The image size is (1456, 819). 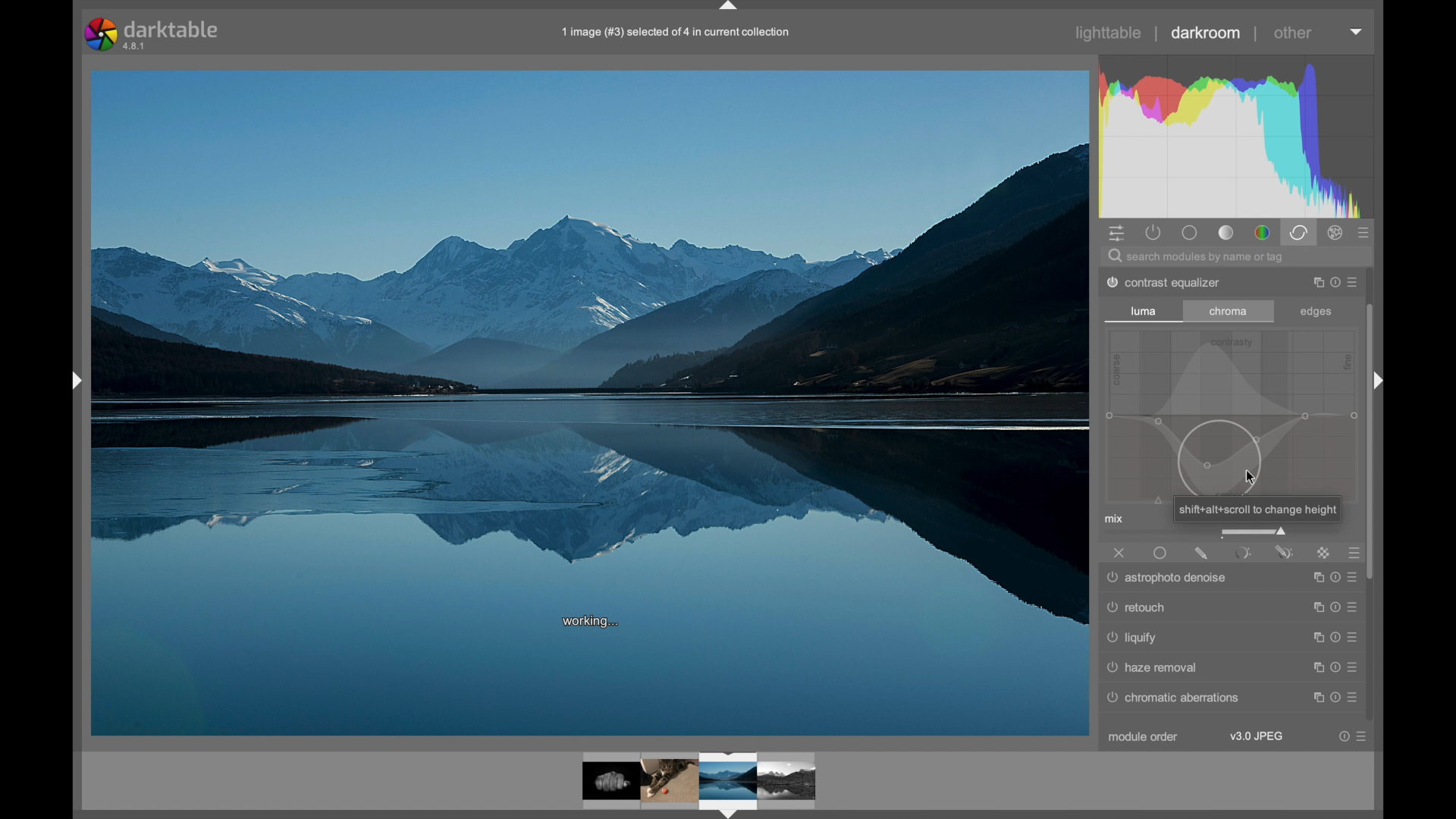 I want to click on more options, so click(x=1333, y=281).